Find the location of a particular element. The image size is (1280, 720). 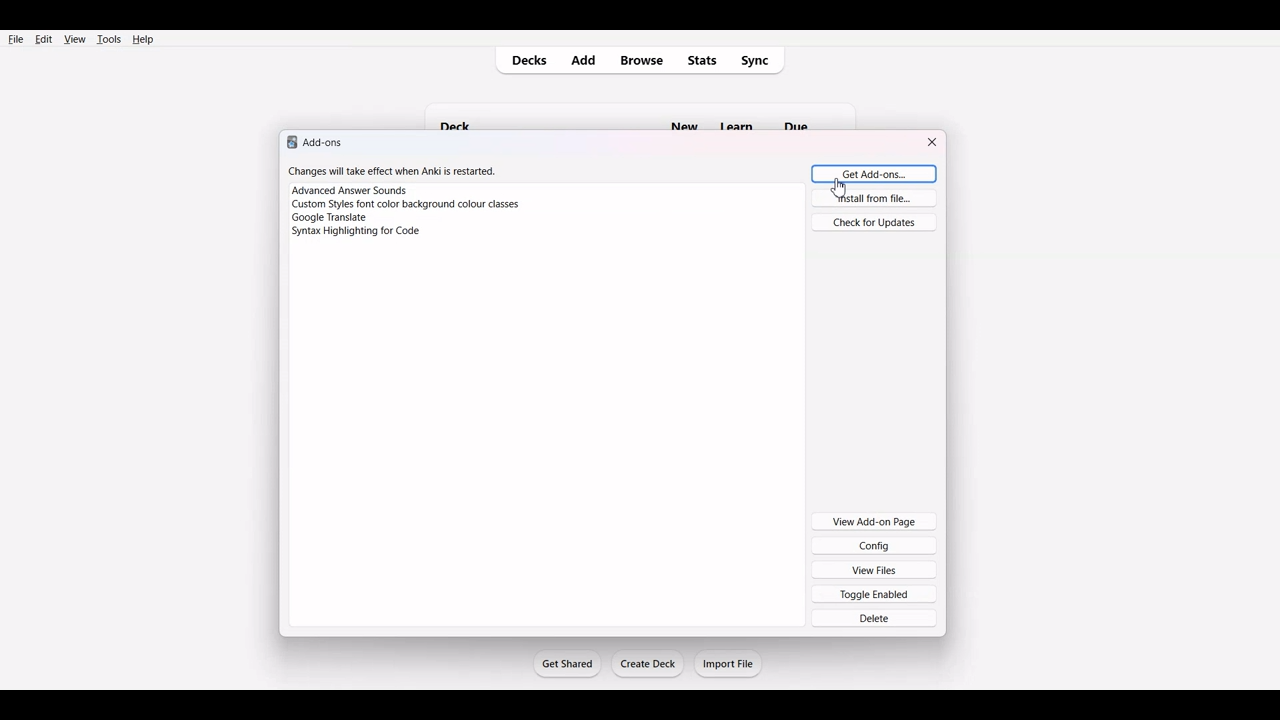

deck is located at coordinates (464, 115).